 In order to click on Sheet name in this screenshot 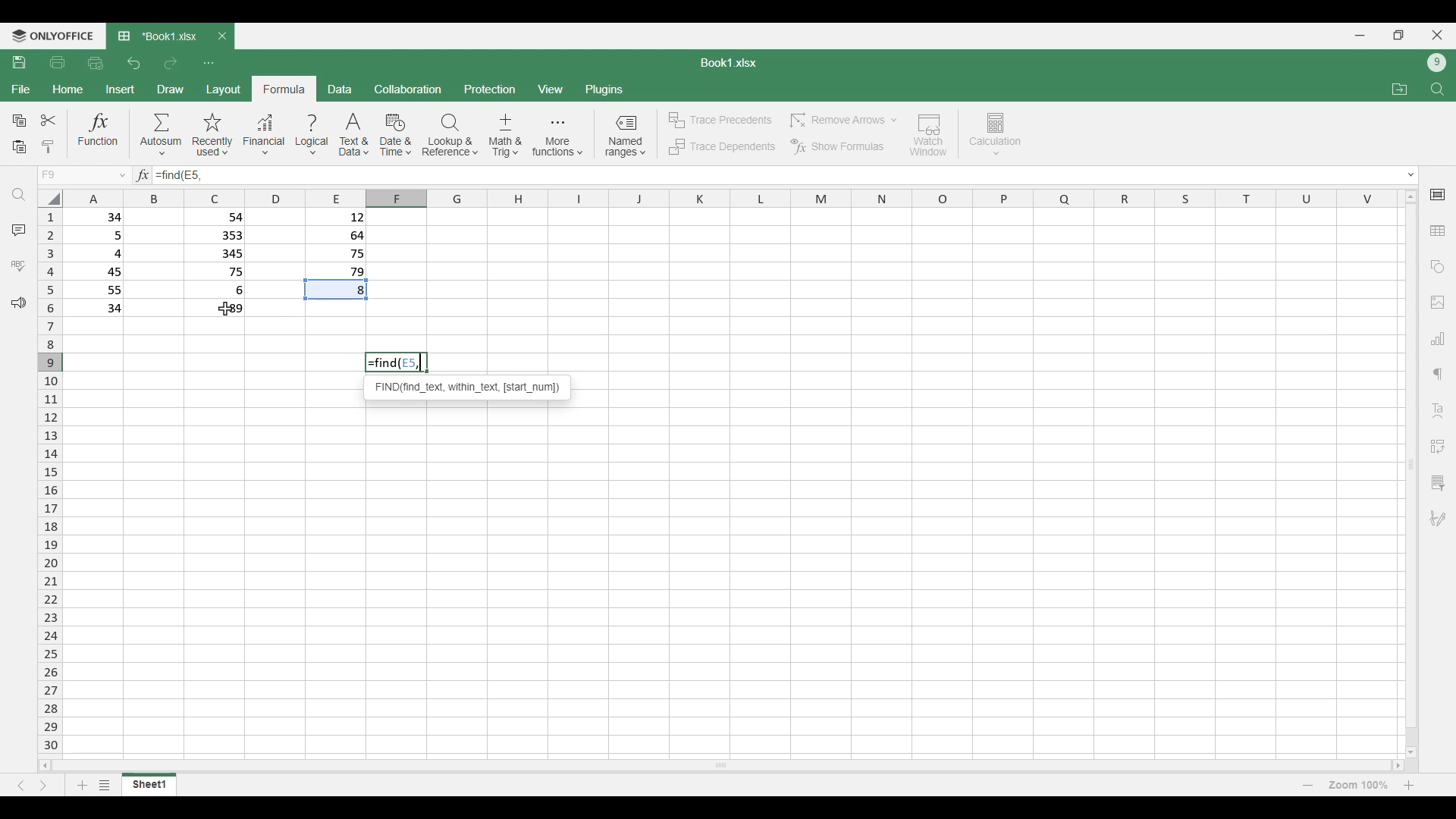, I will do `click(729, 63)`.